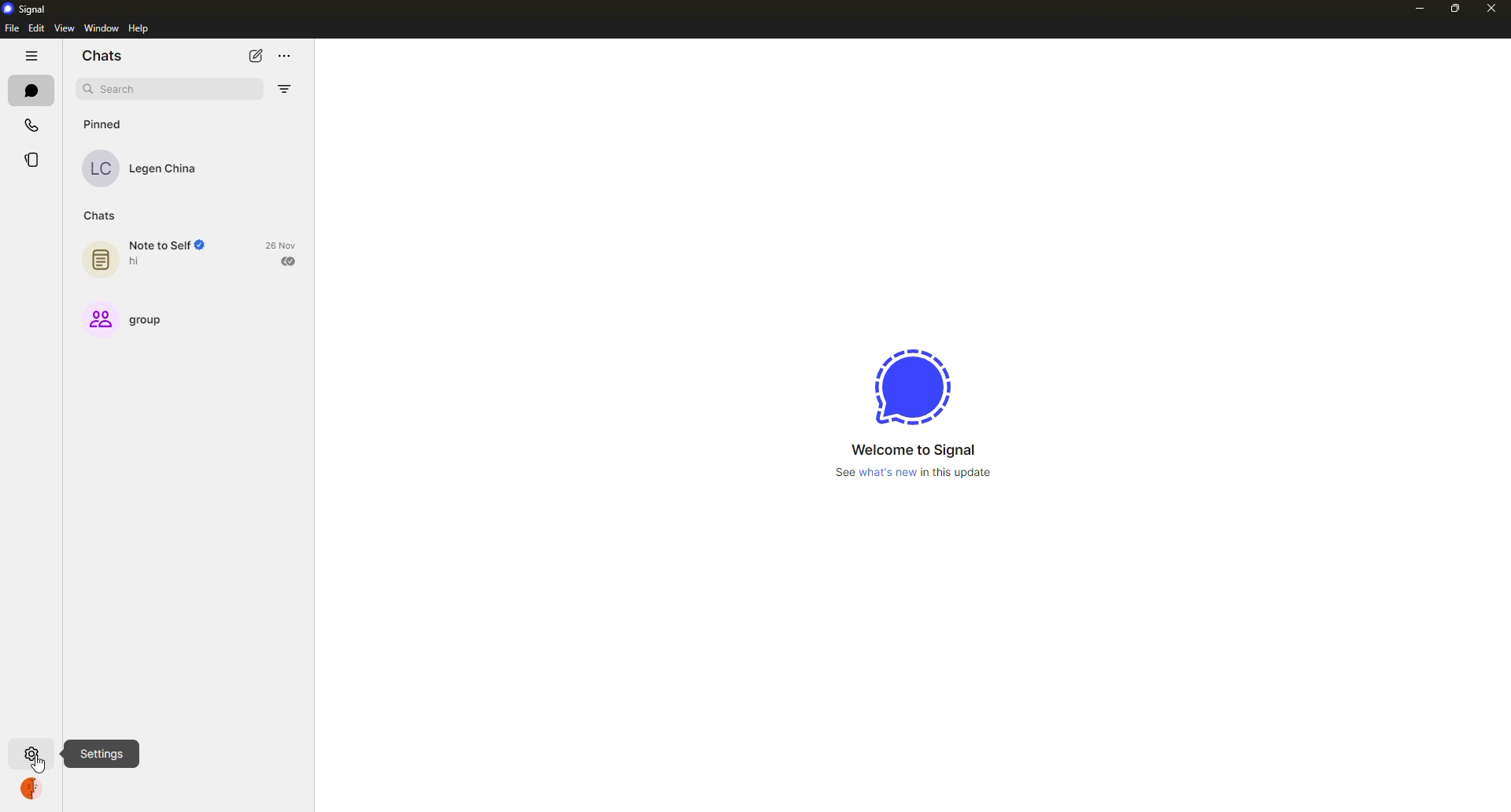  What do you see at coordinates (34, 161) in the screenshot?
I see `stories` at bounding box center [34, 161].